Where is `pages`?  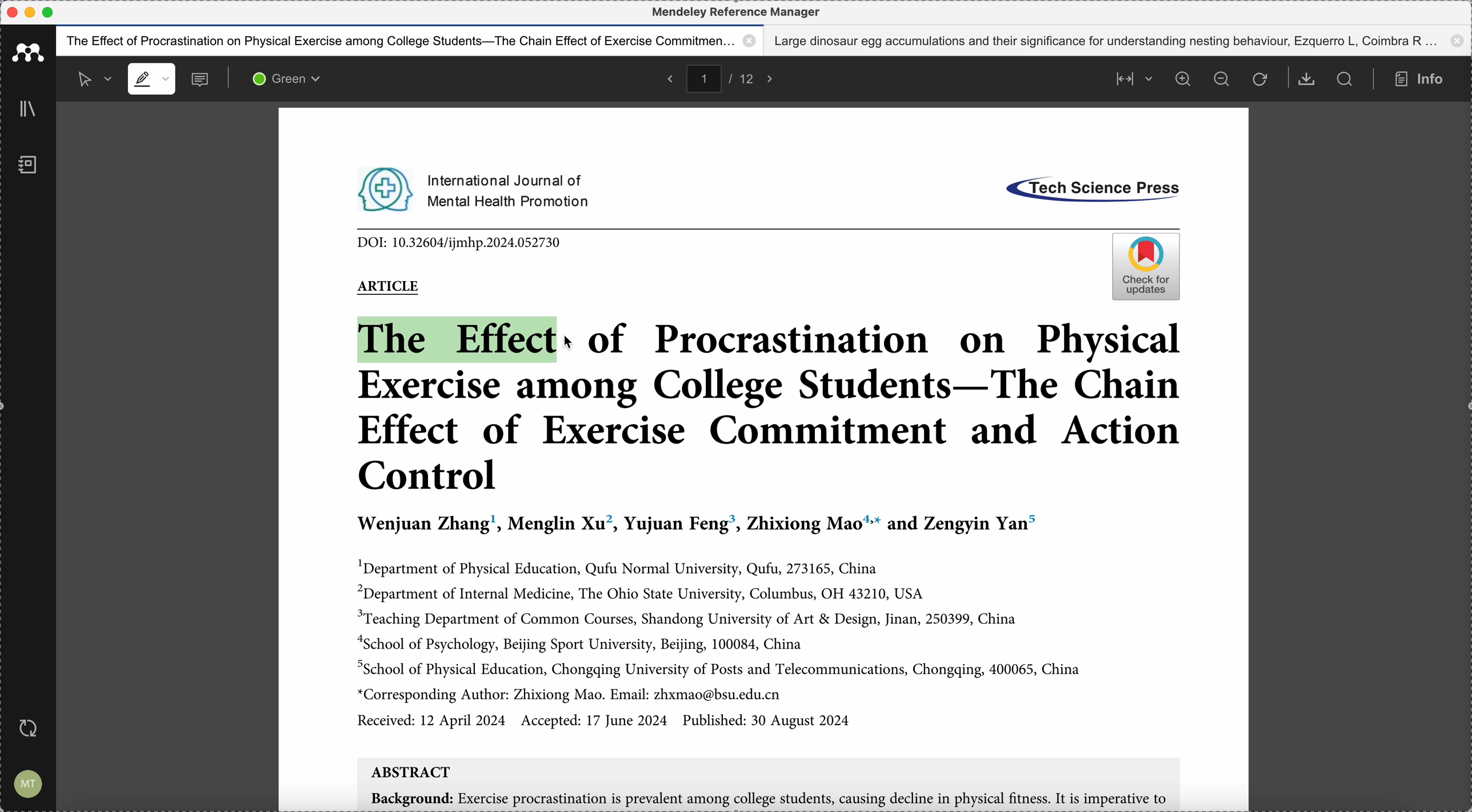
pages is located at coordinates (725, 77).